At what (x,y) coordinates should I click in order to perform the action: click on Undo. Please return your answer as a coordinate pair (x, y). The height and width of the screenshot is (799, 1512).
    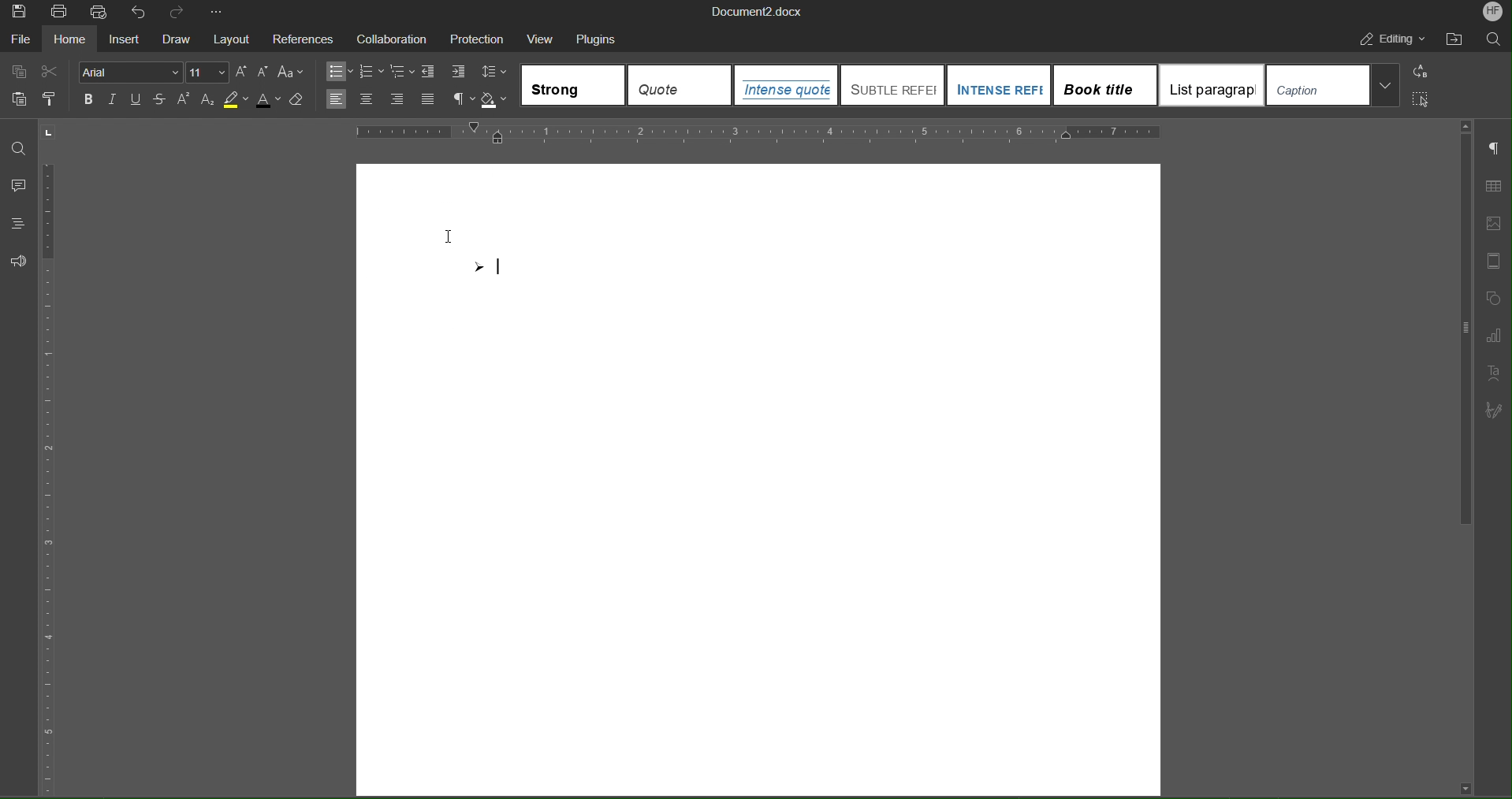
    Looking at the image, I should click on (140, 14).